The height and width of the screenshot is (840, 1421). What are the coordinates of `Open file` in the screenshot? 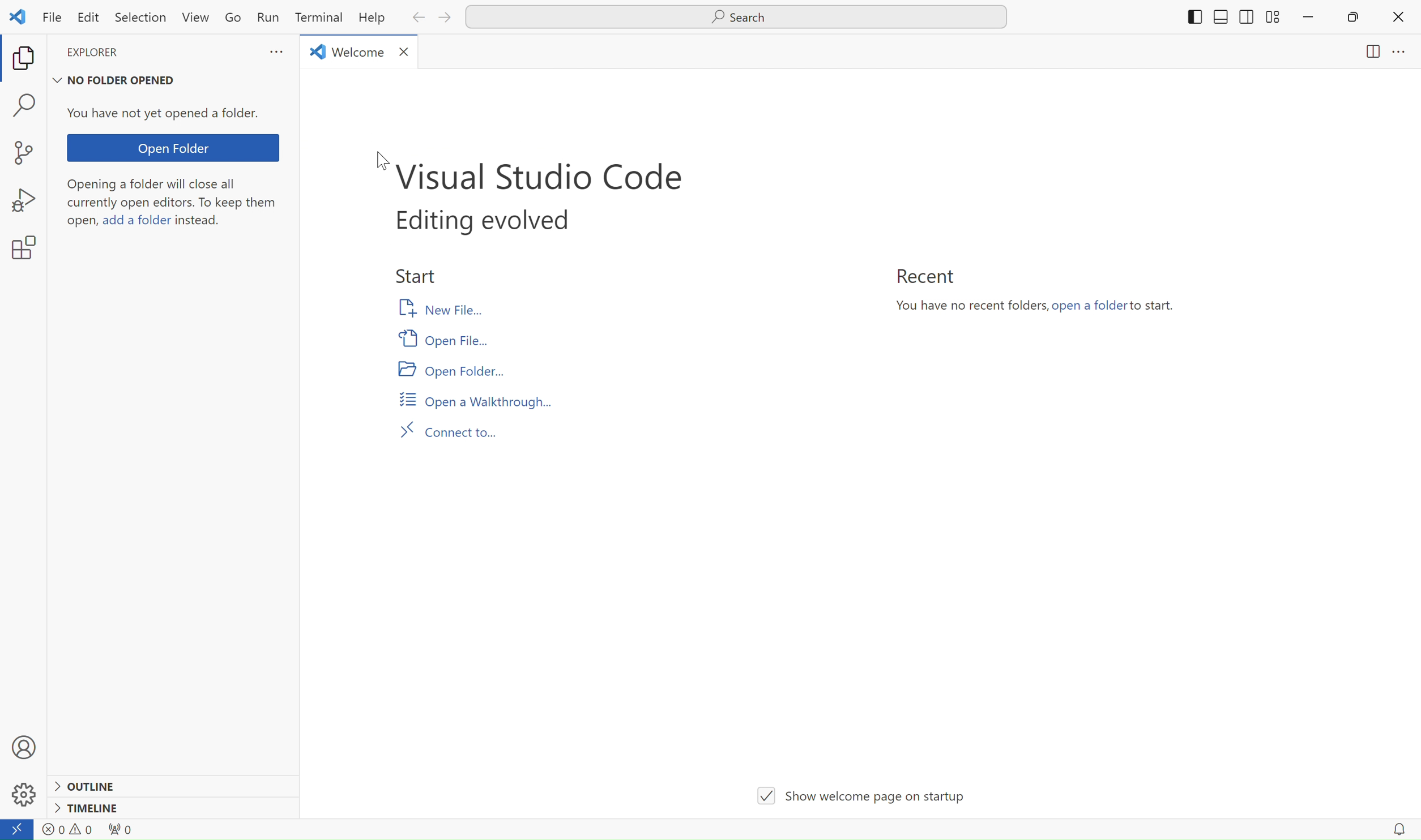 It's located at (437, 335).